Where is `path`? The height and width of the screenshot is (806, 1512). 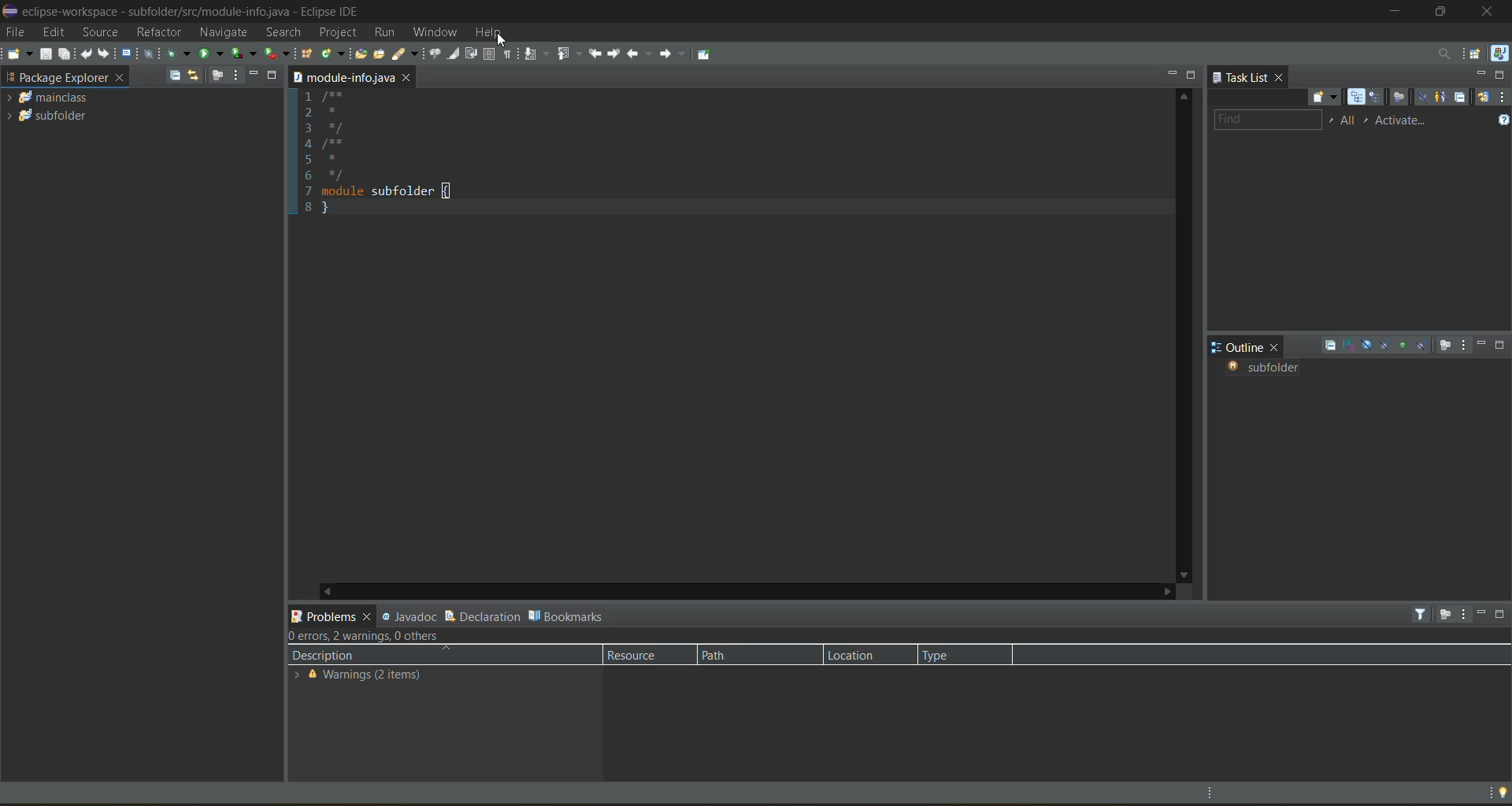 path is located at coordinates (721, 656).